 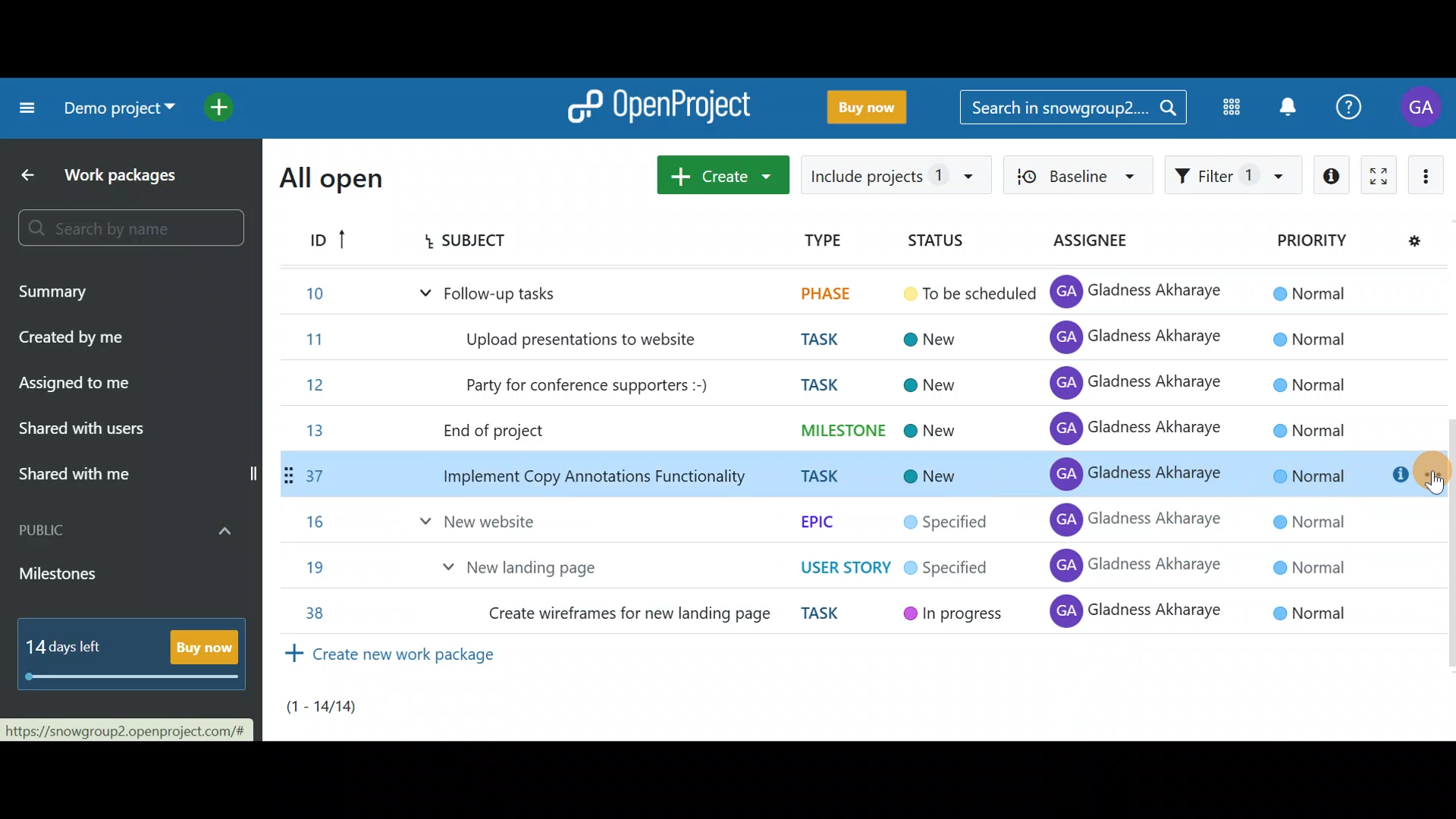 What do you see at coordinates (816, 240) in the screenshot?
I see `TYPE` at bounding box center [816, 240].